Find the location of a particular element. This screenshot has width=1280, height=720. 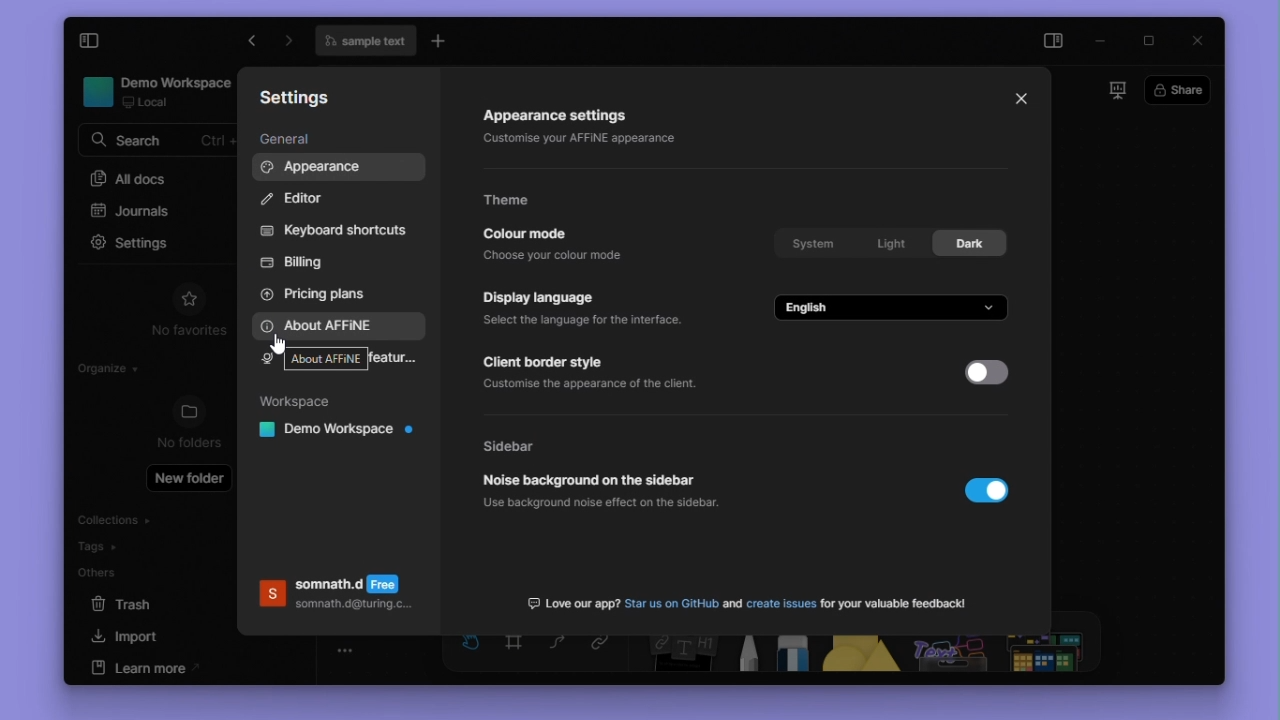

folders is located at coordinates (189, 412).